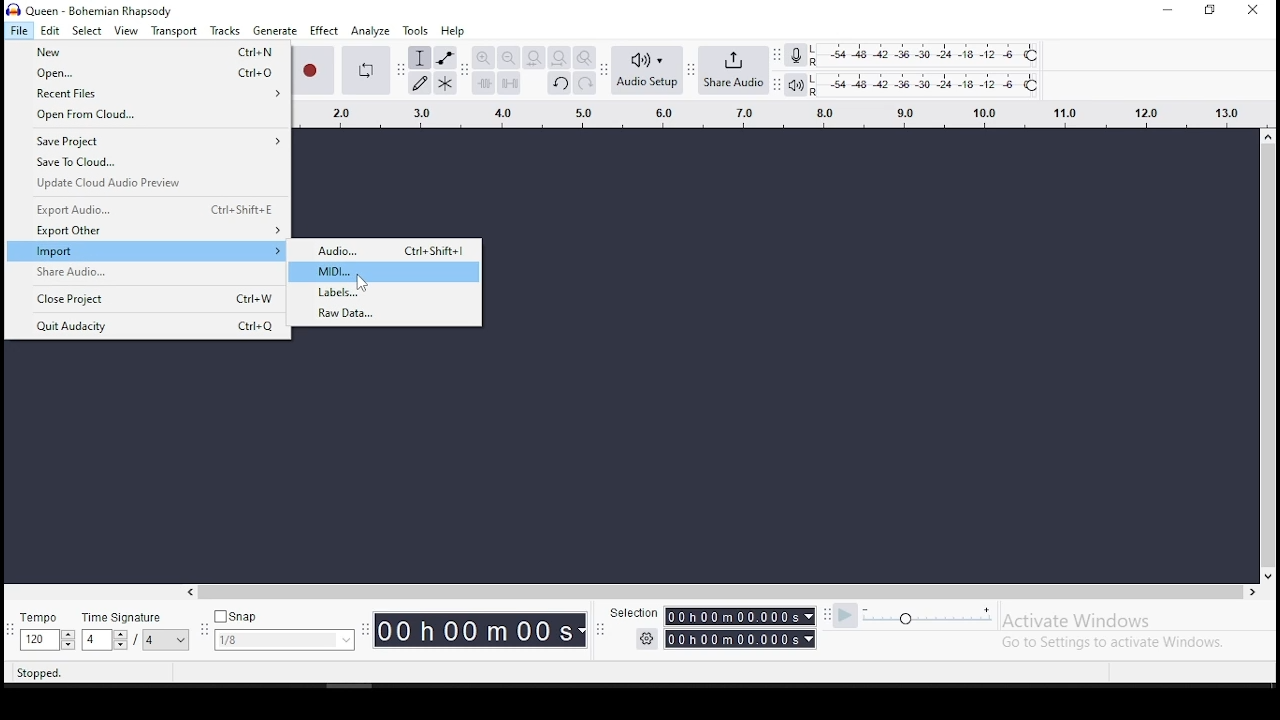 The image size is (1280, 720). What do you see at coordinates (510, 84) in the screenshot?
I see `silence selected audio` at bounding box center [510, 84].